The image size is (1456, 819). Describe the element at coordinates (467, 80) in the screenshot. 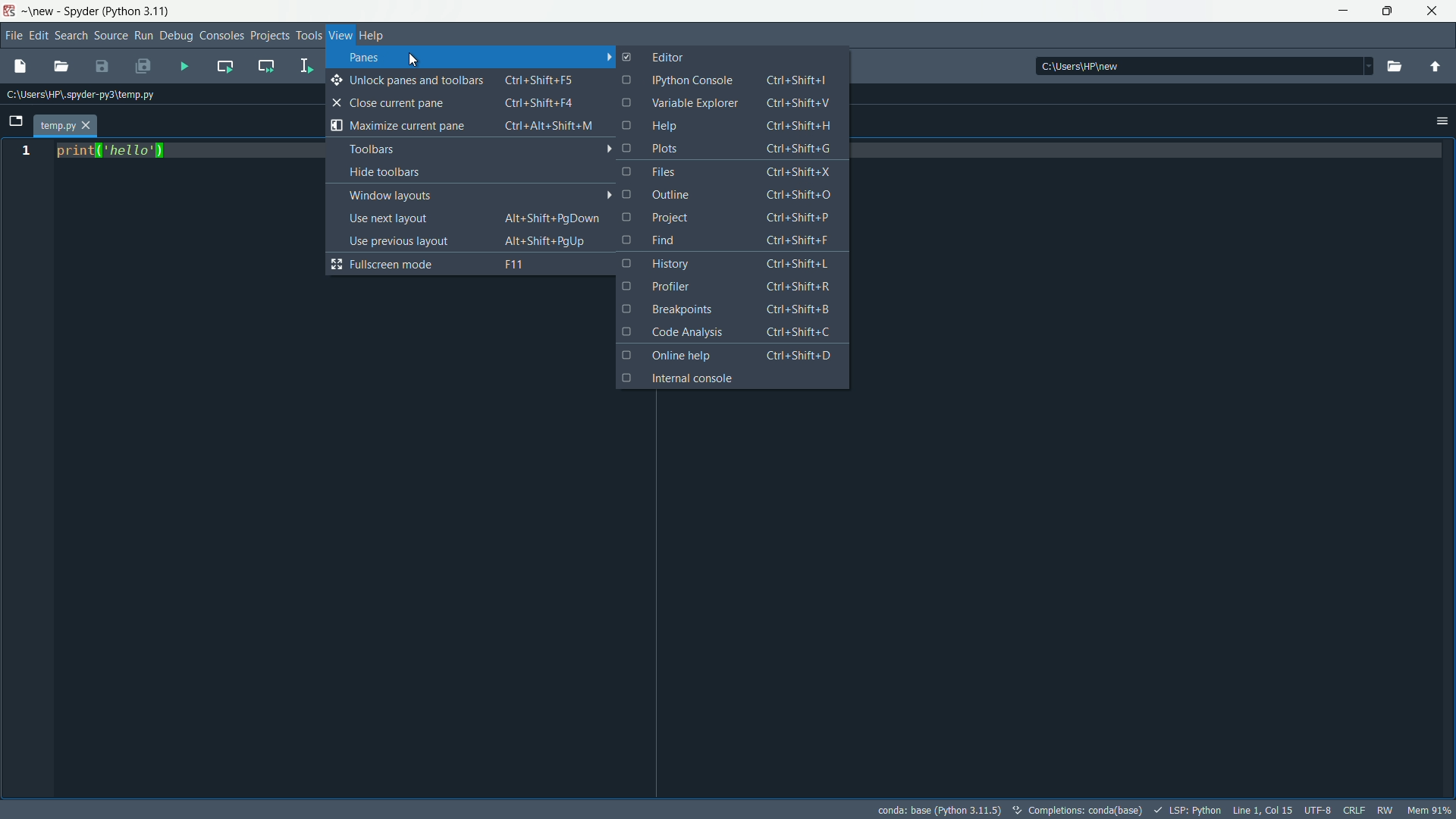

I see `unlock panes and toolbars` at that location.